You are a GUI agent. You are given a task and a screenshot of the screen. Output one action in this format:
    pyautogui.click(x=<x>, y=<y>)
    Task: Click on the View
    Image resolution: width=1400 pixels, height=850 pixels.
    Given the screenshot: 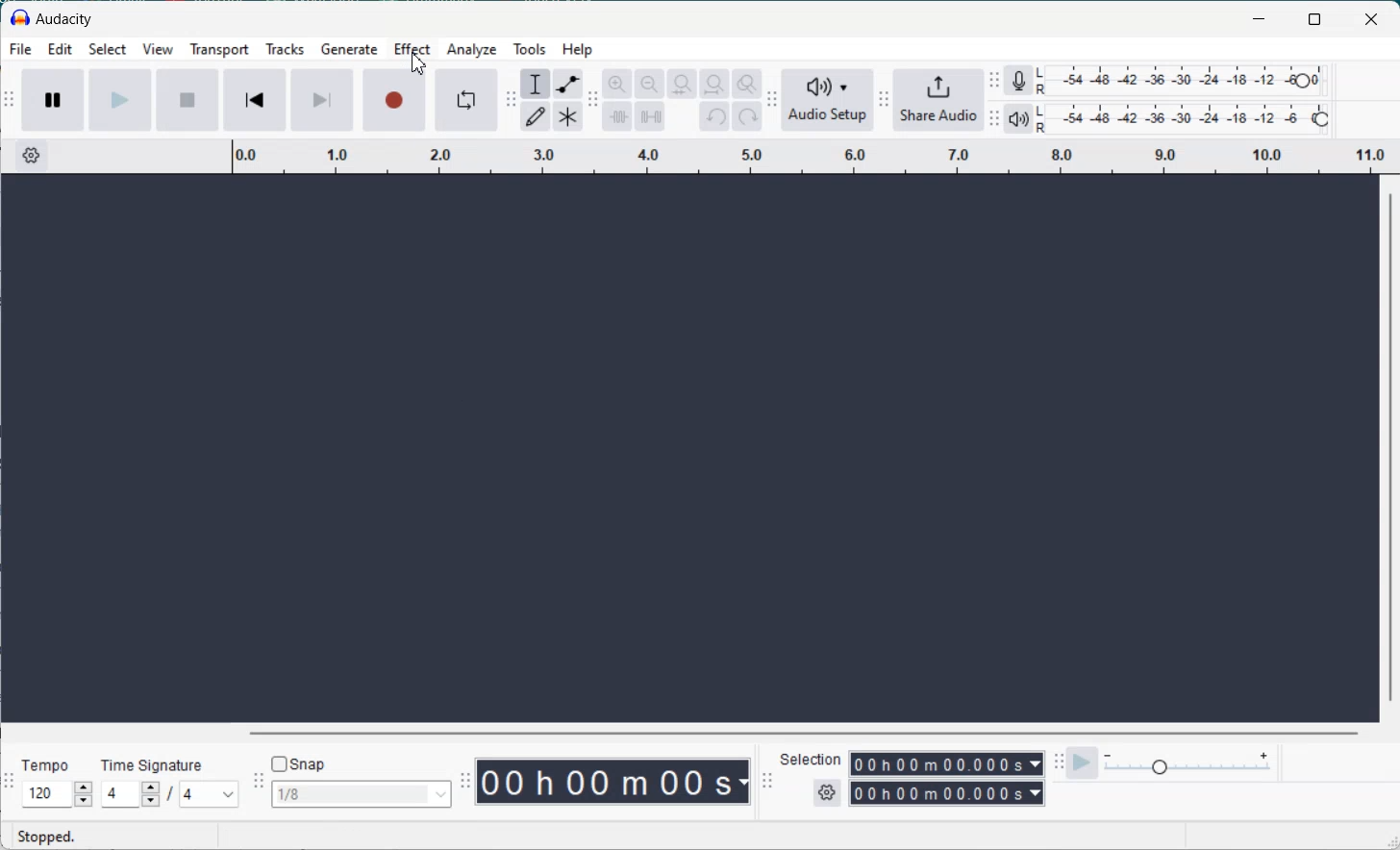 What is the action you would take?
    pyautogui.click(x=158, y=51)
    